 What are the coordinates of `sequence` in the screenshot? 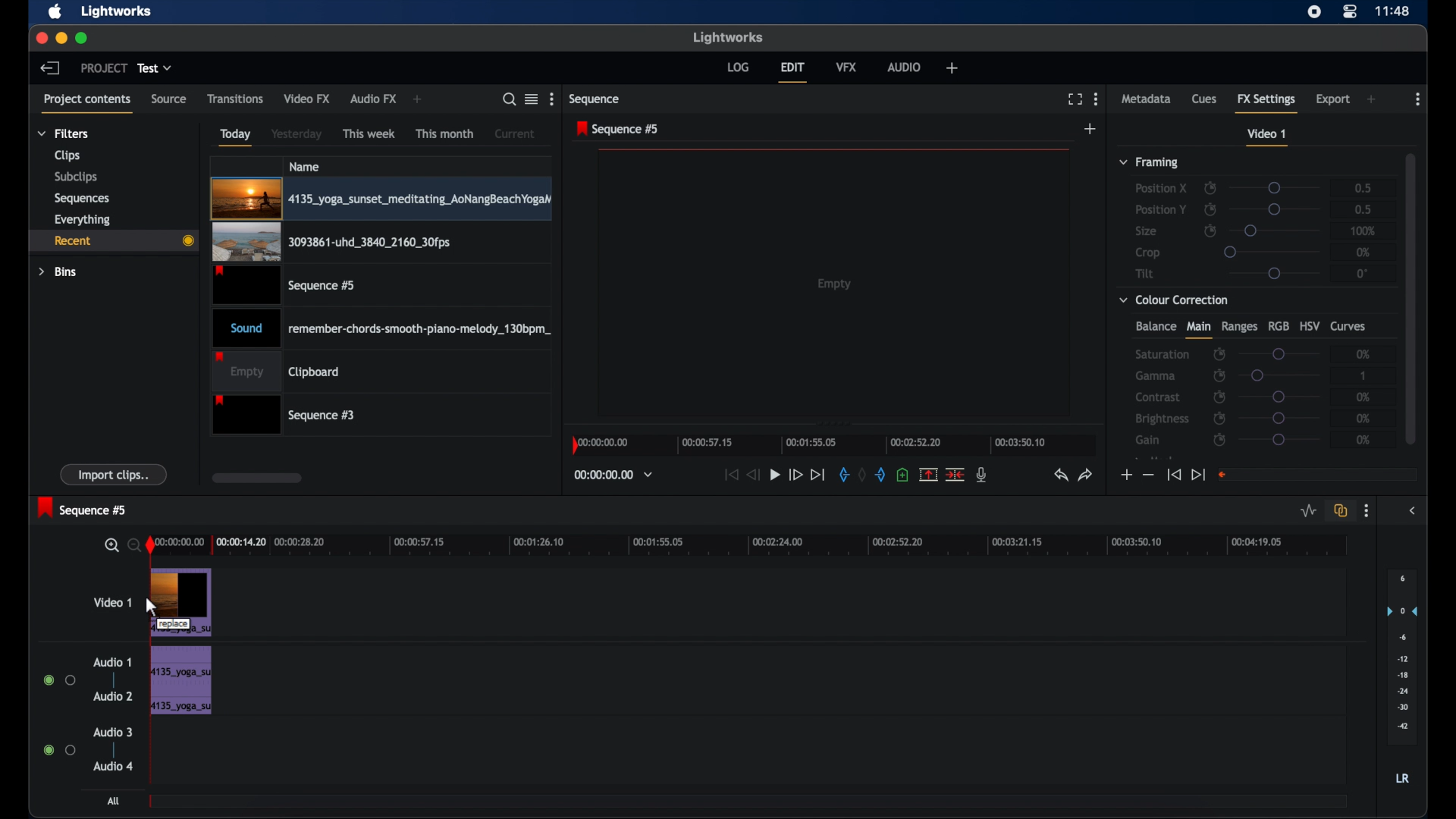 It's located at (596, 99).